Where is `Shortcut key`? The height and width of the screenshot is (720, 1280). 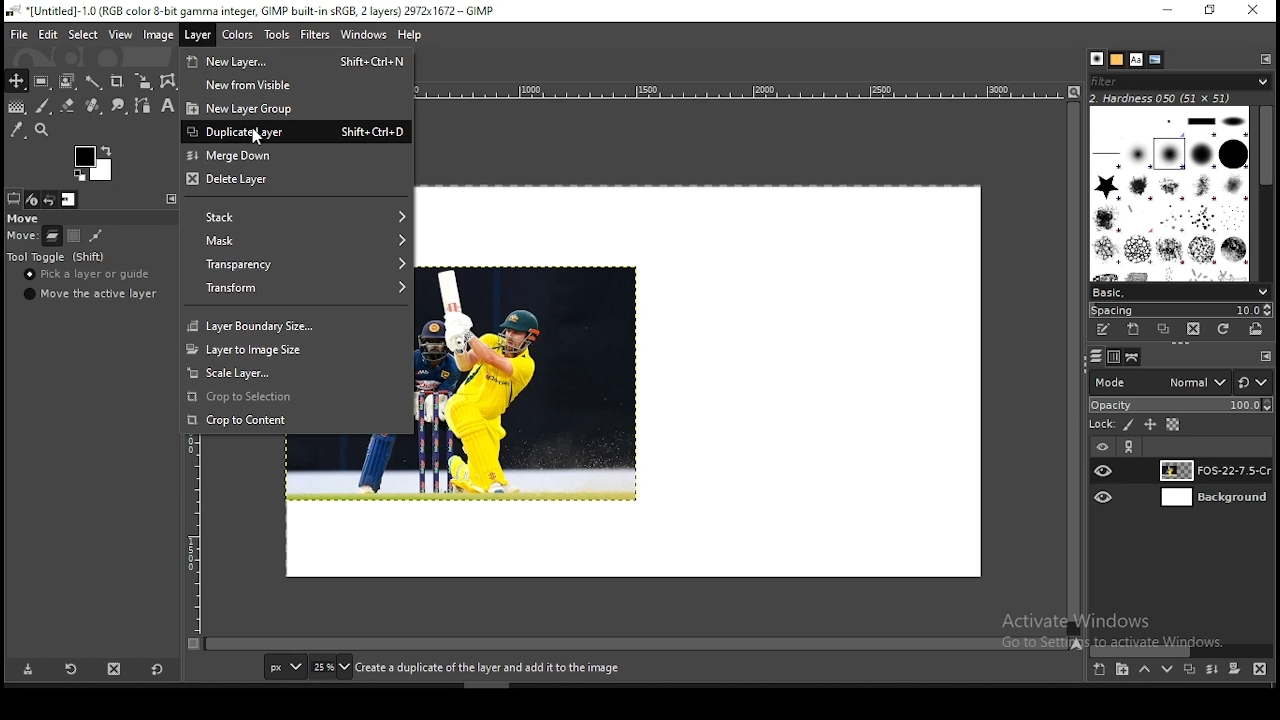
Shortcut key is located at coordinates (372, 60).